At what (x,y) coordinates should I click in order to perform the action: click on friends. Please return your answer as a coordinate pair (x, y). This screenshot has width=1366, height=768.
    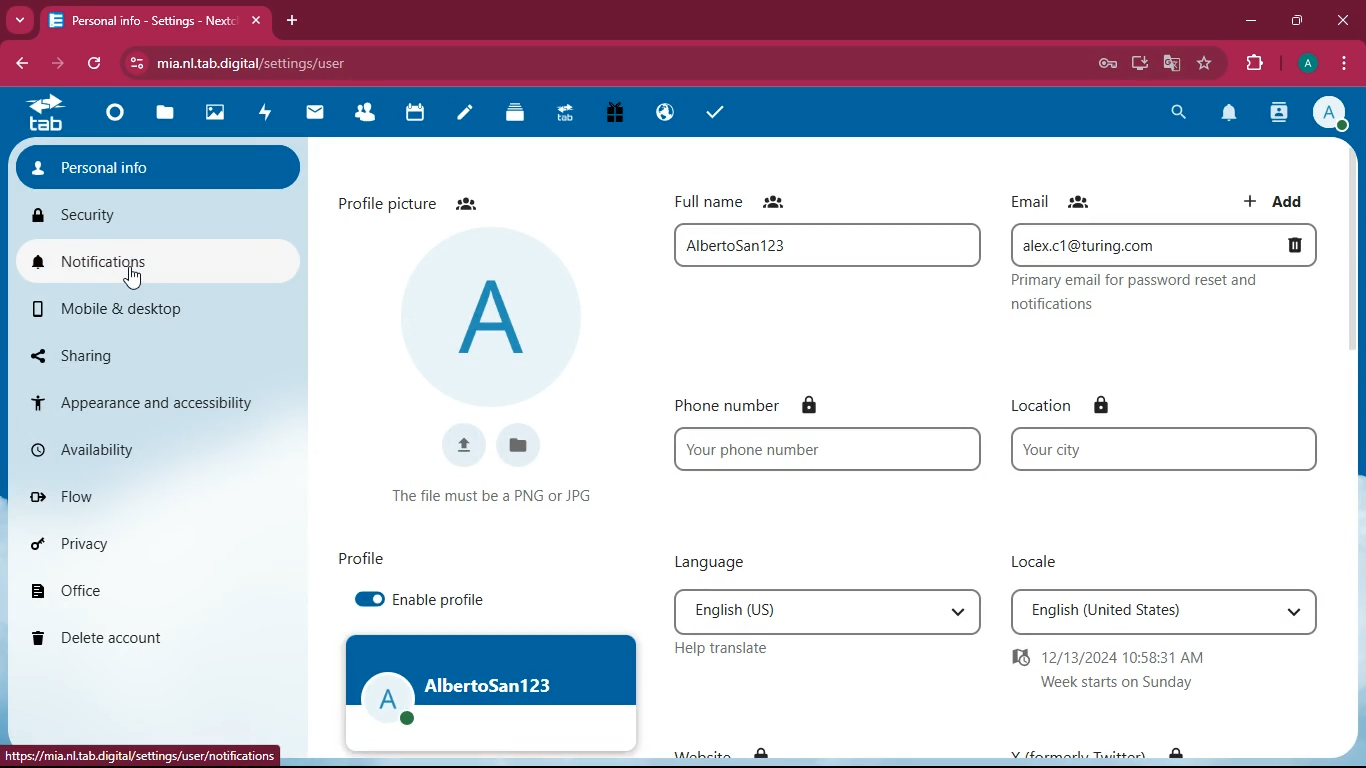
    Looking at the image, I should click on (370, 112).